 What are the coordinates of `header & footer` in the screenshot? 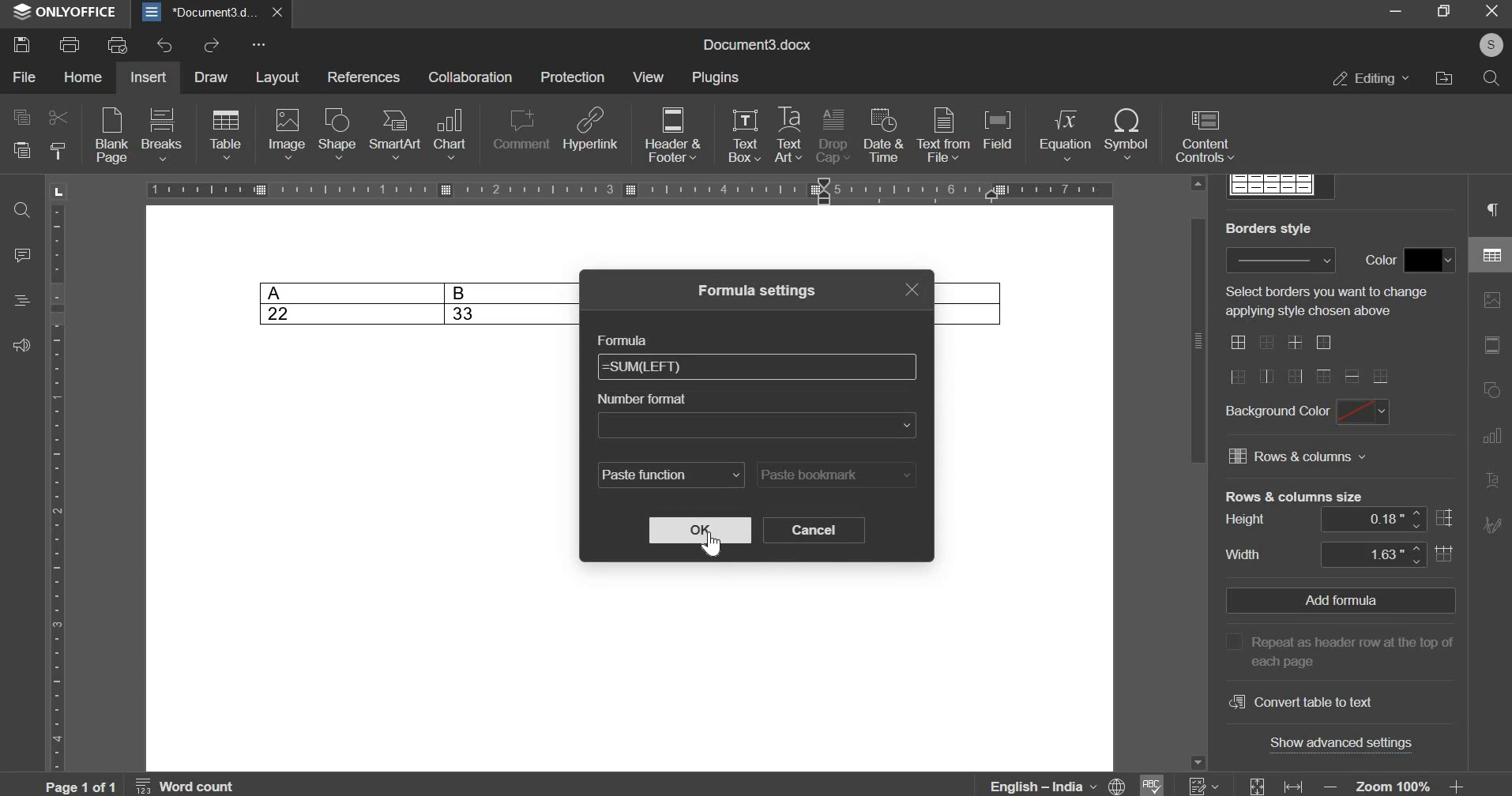 It's located at (673, 136).